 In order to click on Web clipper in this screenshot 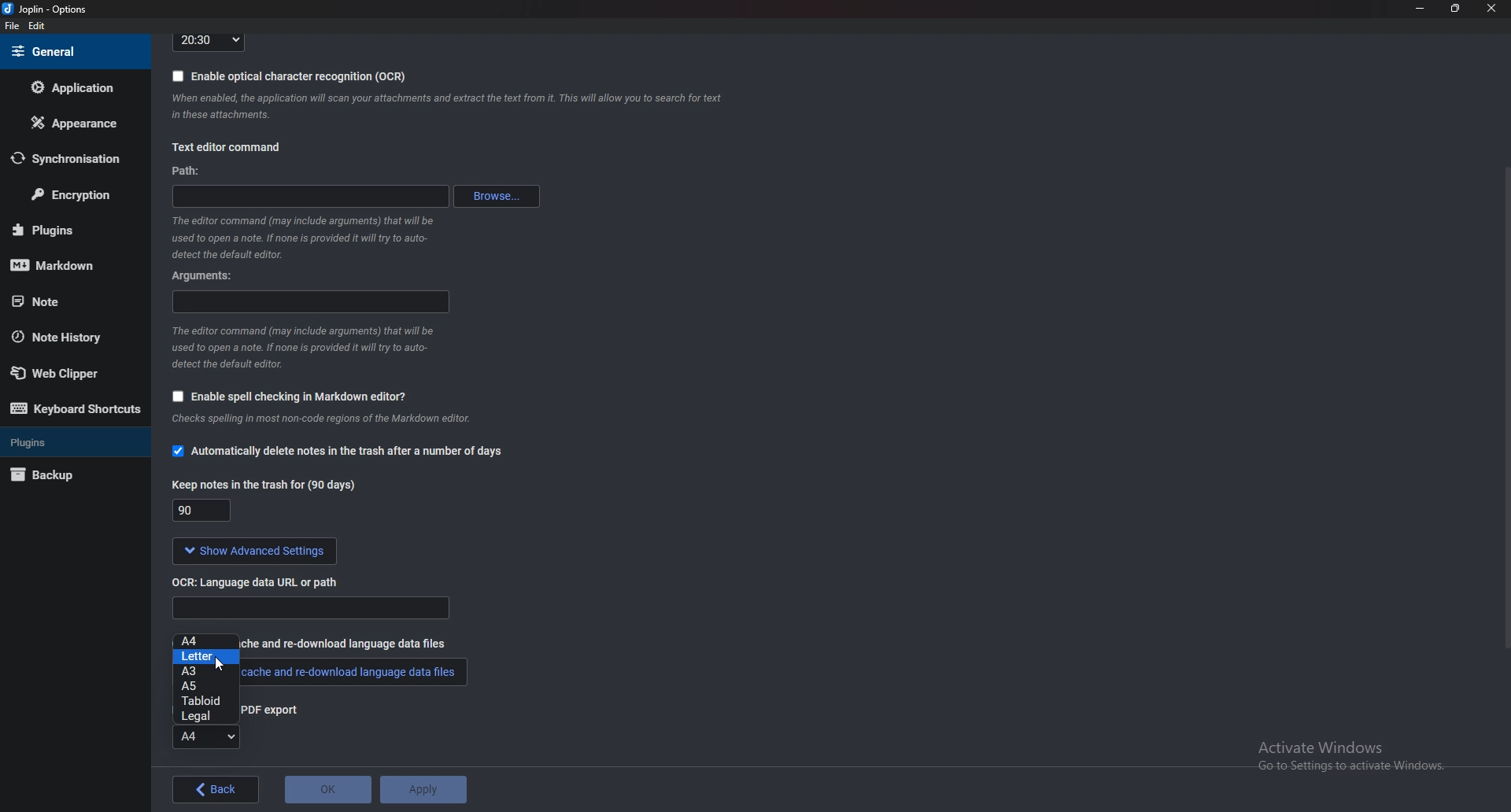, I will do `click(70, 374)`.